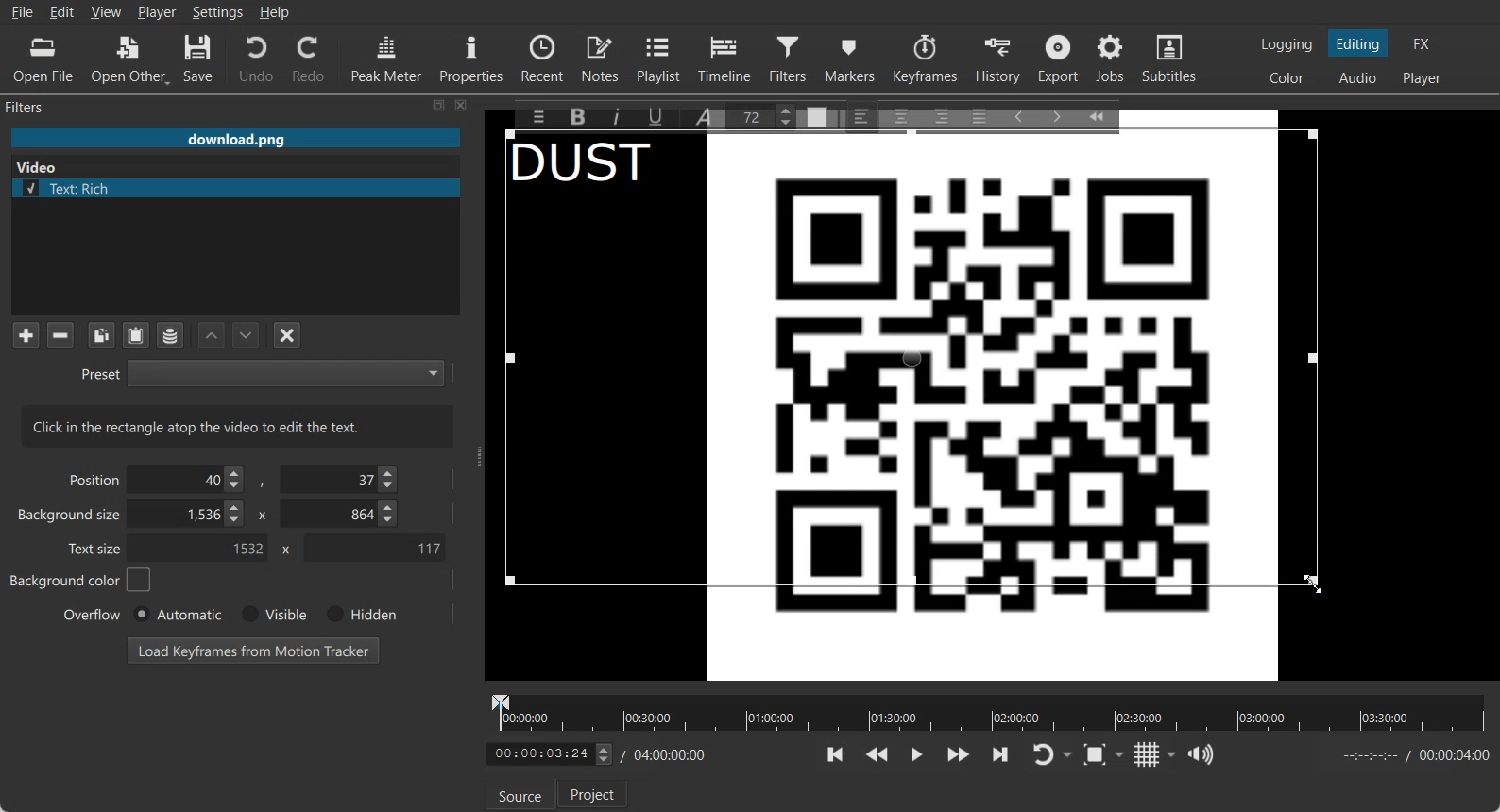 The image size is (1500, 812). Describe the element at coordinates (988, 711) in the screenshot. I see `Video timeline` at that location.